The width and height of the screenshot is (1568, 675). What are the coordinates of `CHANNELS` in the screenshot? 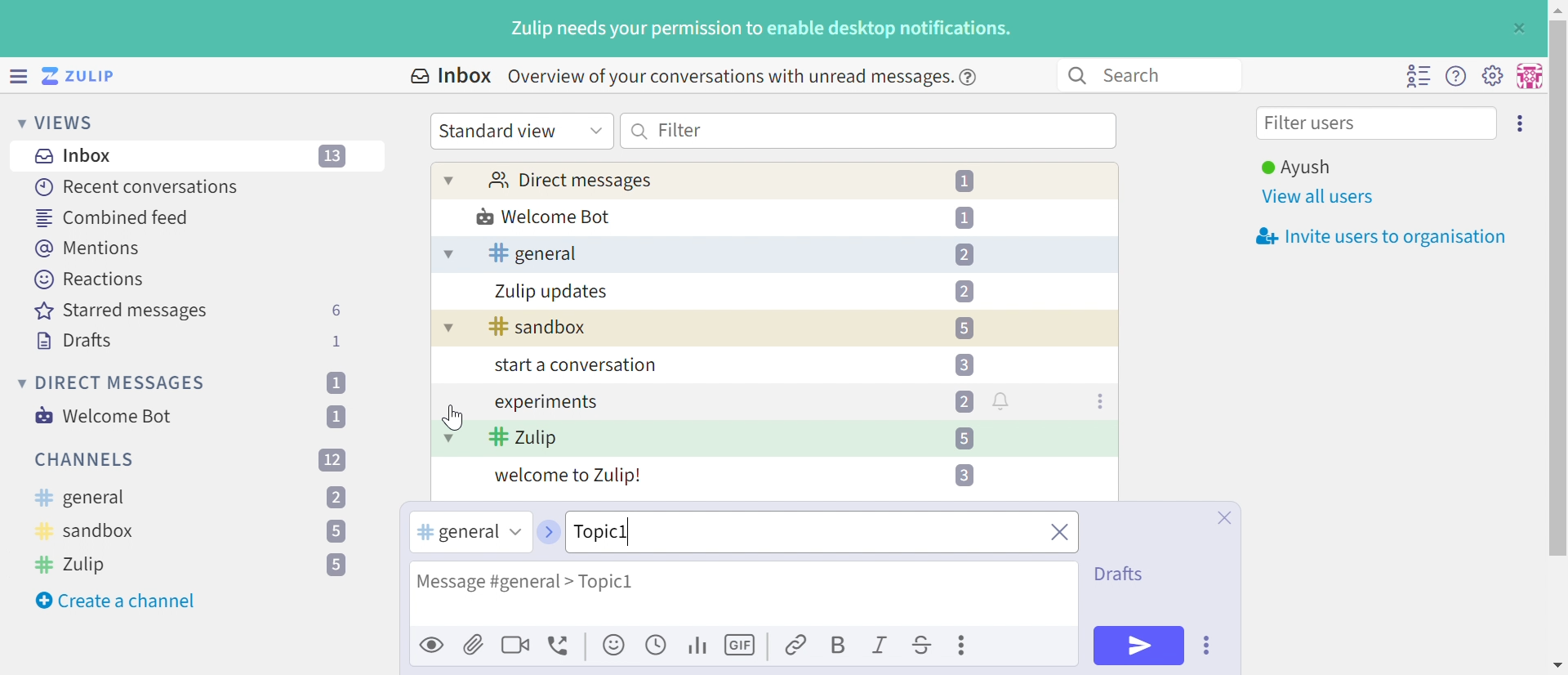 It's located at (86, 460).